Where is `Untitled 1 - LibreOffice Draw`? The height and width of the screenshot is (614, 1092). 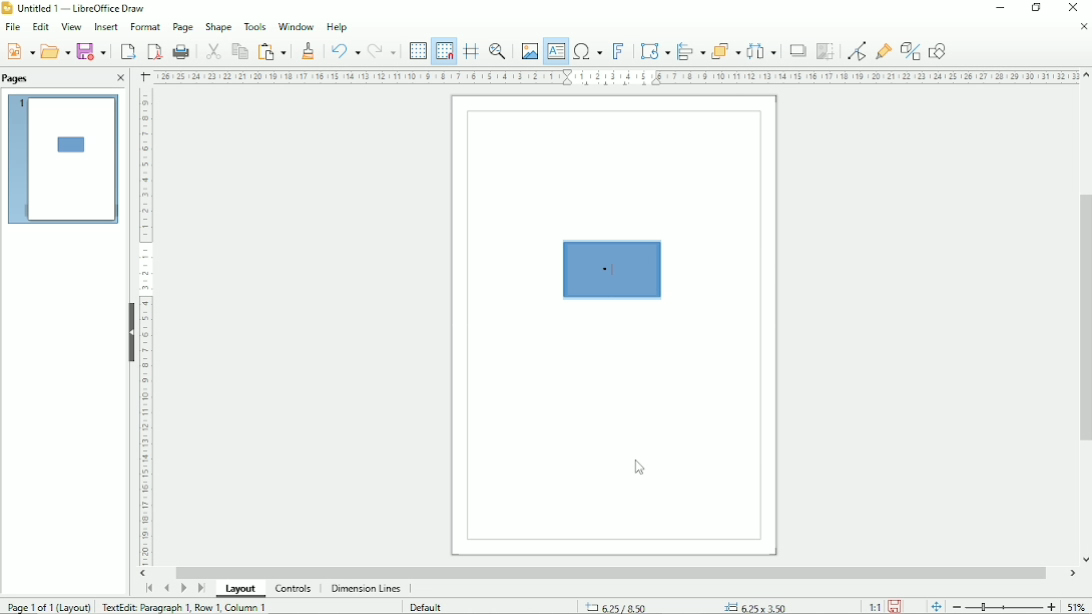 Untitled 1 - LibreOffice Draw is located at coordinates (77, 7).